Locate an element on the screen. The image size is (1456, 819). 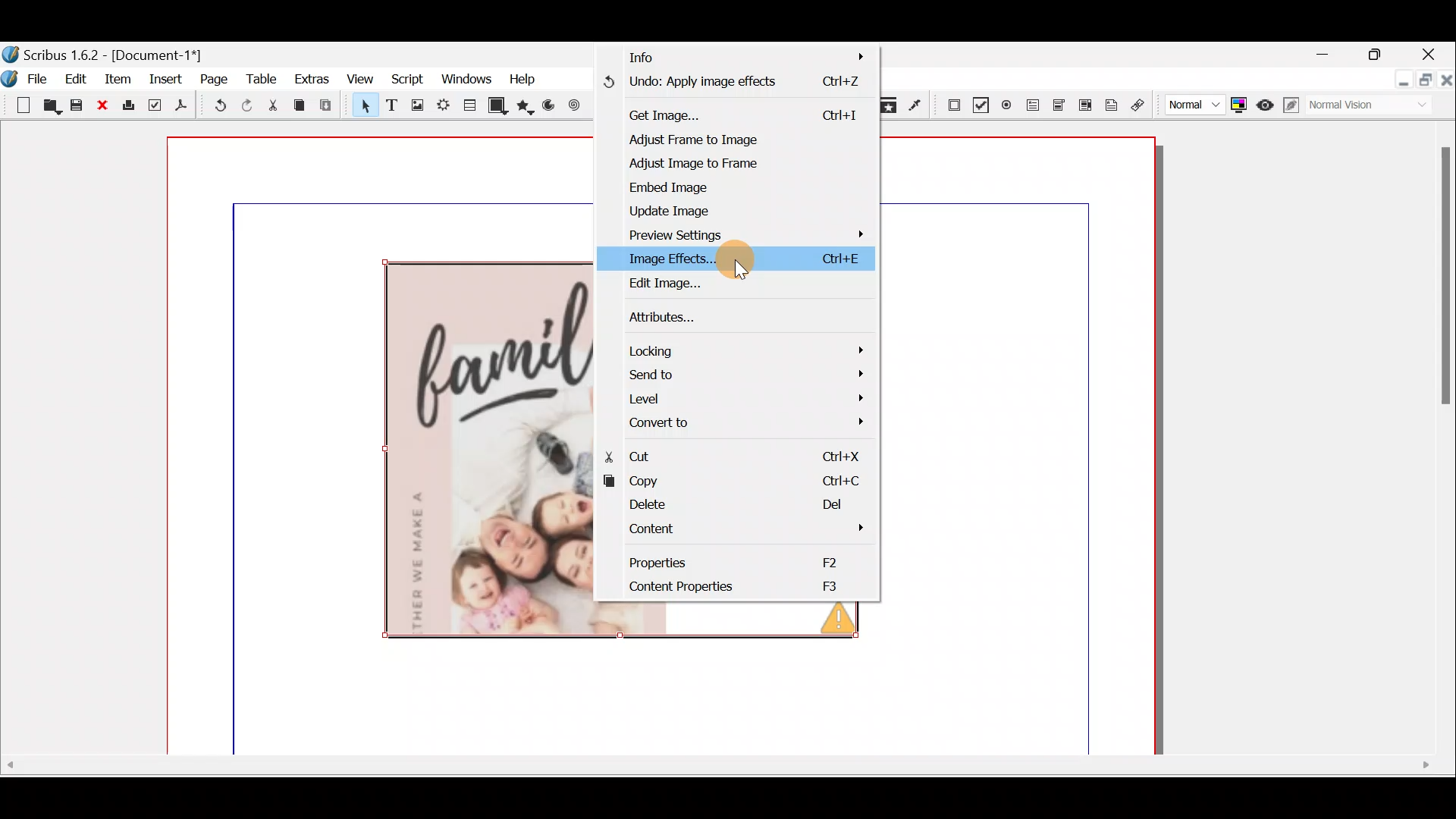
New is located at coordinates (17, 106).